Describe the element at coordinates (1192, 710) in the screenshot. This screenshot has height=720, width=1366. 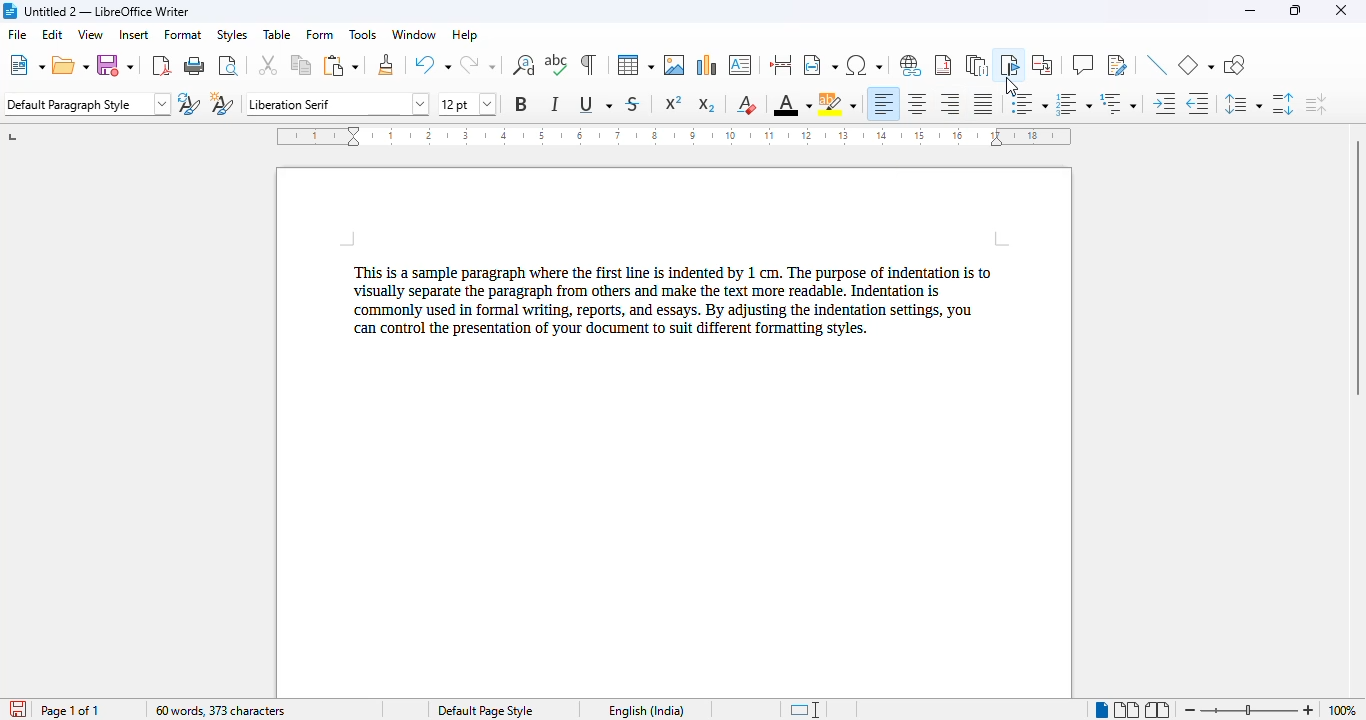
I see `zoom out` at that location.